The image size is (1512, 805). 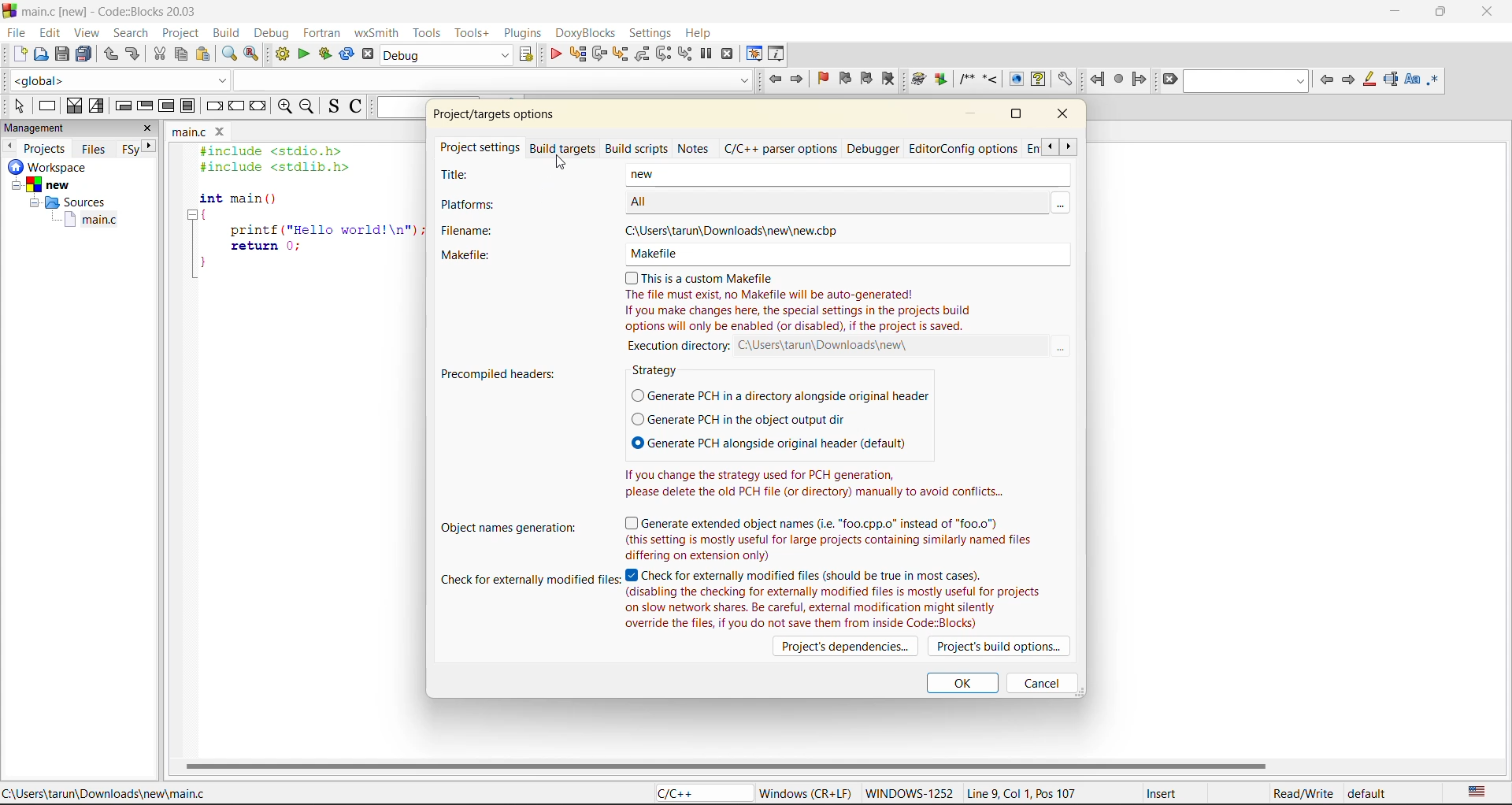 I want to click on #include <stdio.h>

#include <stdlib.h>

int main ()

{
printf ("Hello world!\n");
return 0;

}, so click(x=302, y=217).